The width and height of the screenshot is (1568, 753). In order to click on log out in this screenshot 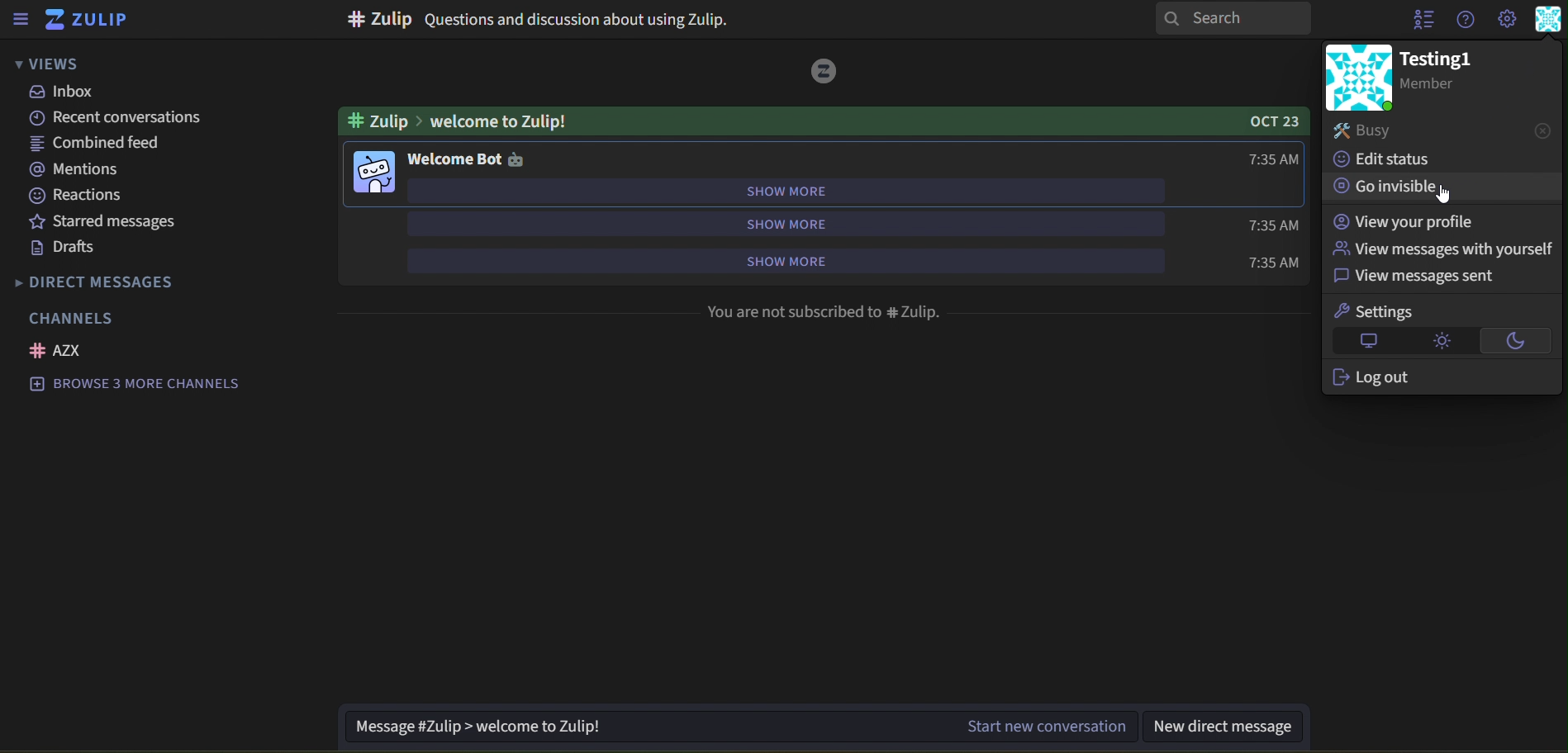, I will do `click(1421, 378)`.